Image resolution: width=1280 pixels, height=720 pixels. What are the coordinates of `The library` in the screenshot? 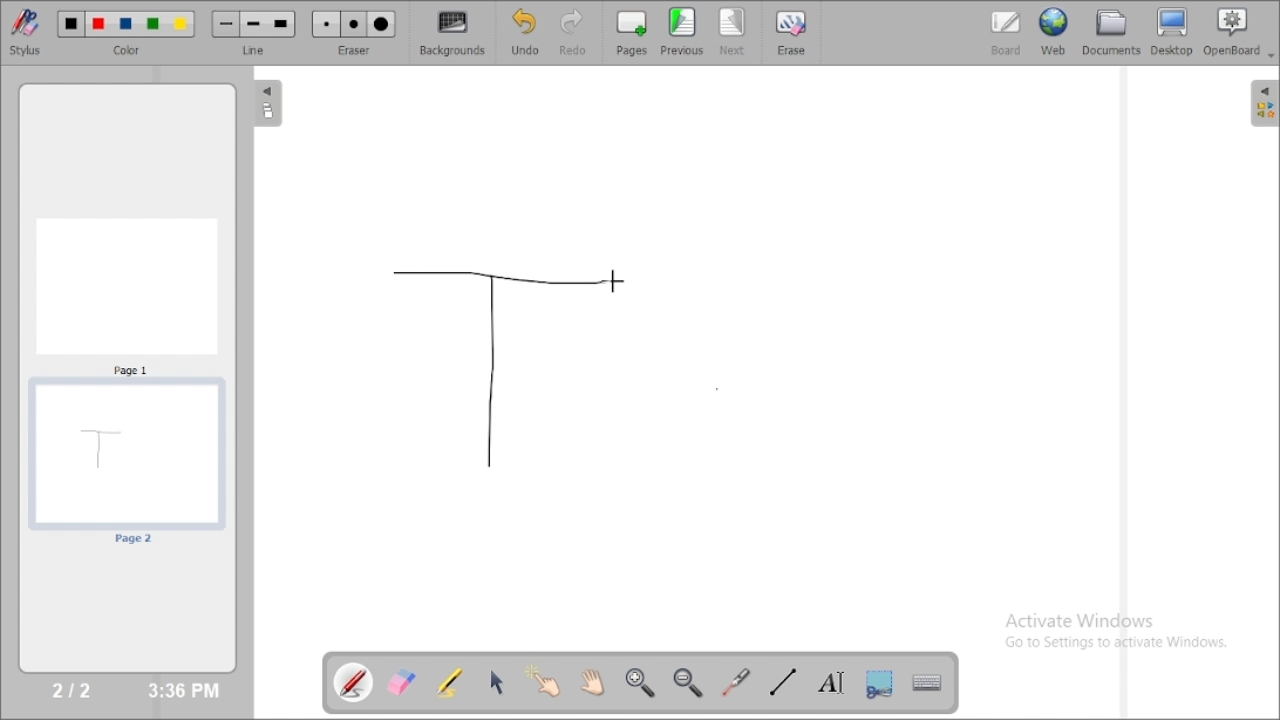 It's located at (1264, 102).